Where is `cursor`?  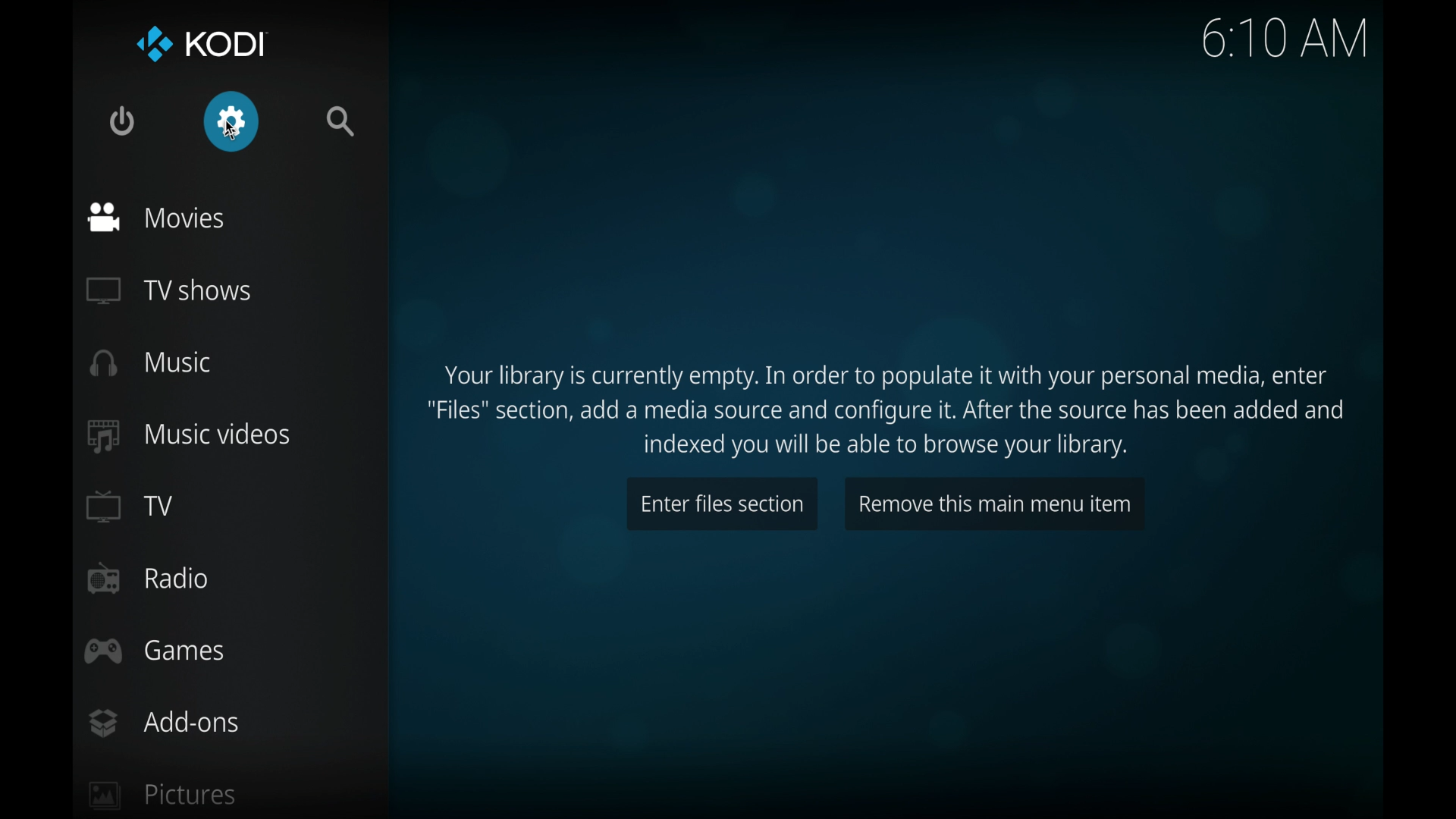
cursor is located at coordinates (231, 130).